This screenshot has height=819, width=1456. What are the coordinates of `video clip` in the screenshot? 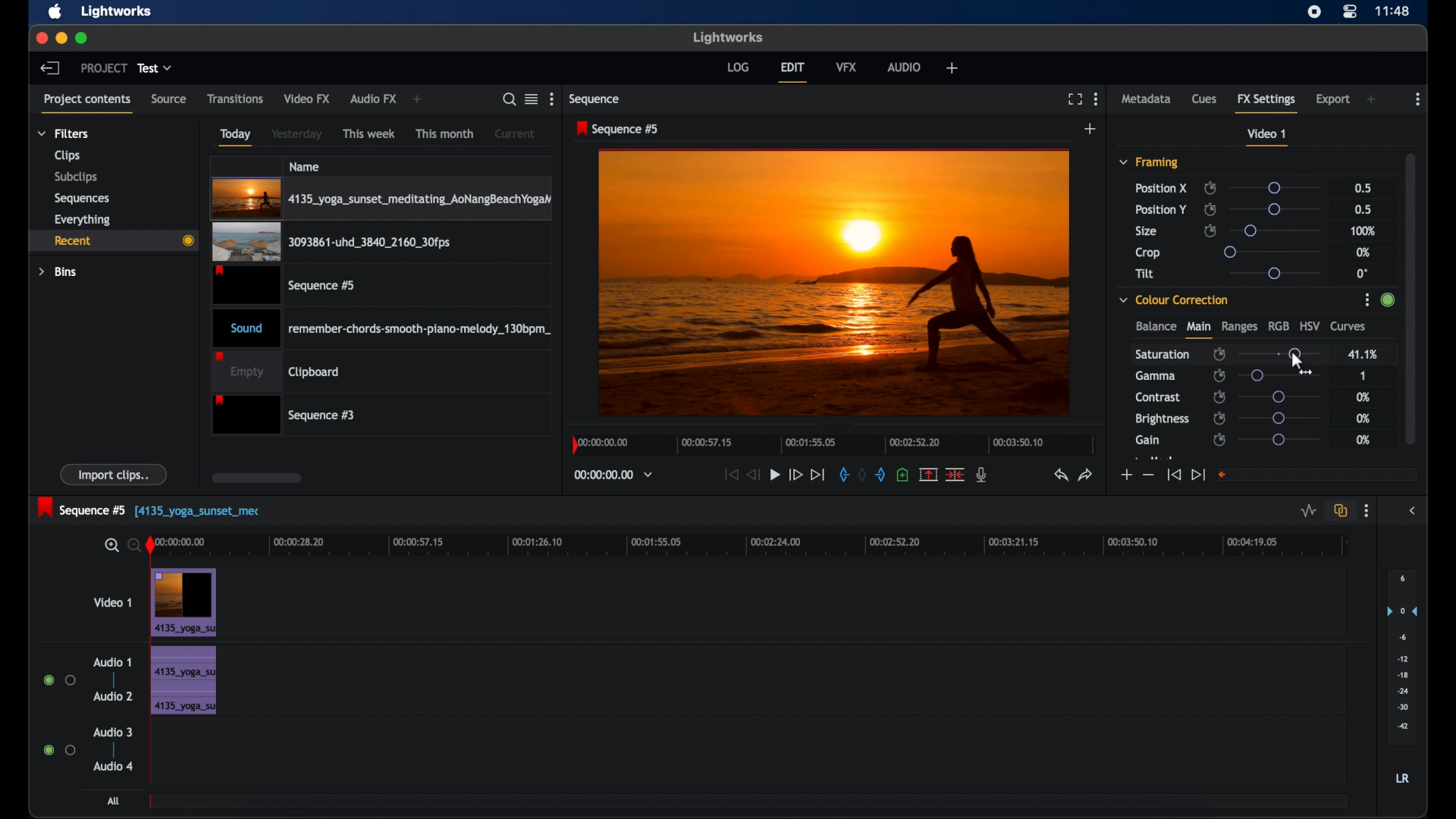 It's located at (331, 243).